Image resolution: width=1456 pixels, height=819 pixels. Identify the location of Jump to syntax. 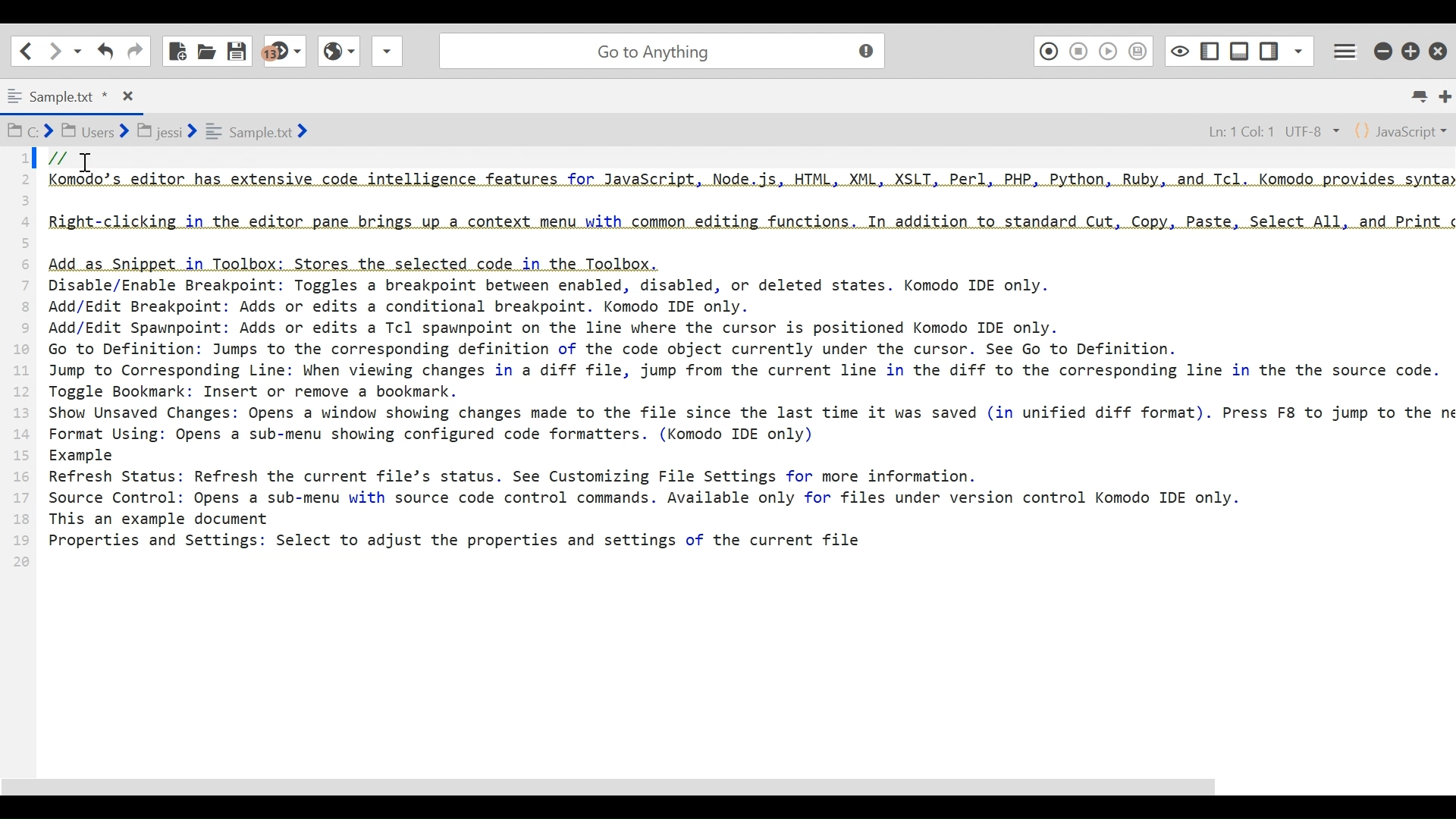
(286, 52).